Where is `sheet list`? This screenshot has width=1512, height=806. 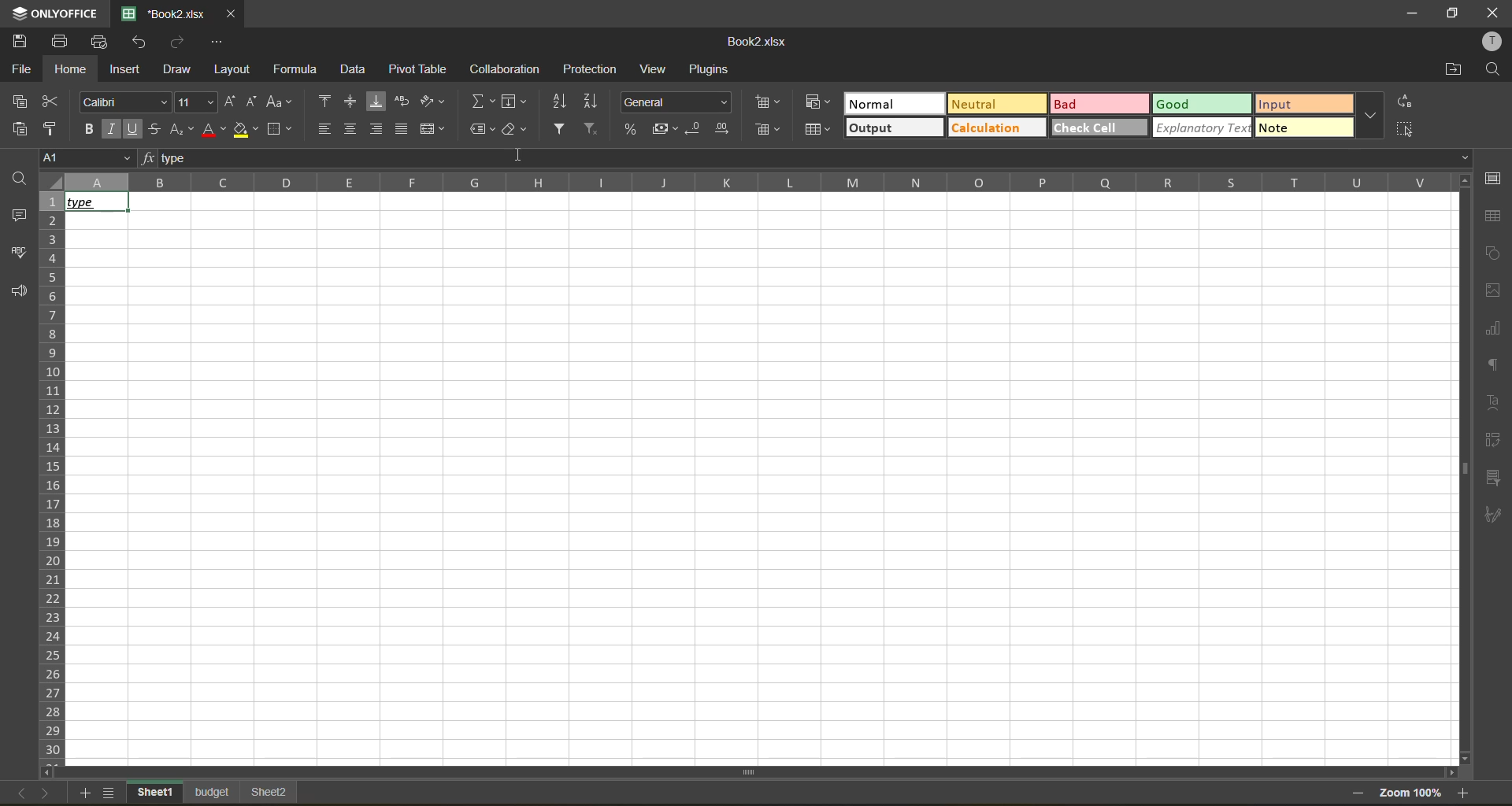 sheet list is located at coordinates (111, 793).